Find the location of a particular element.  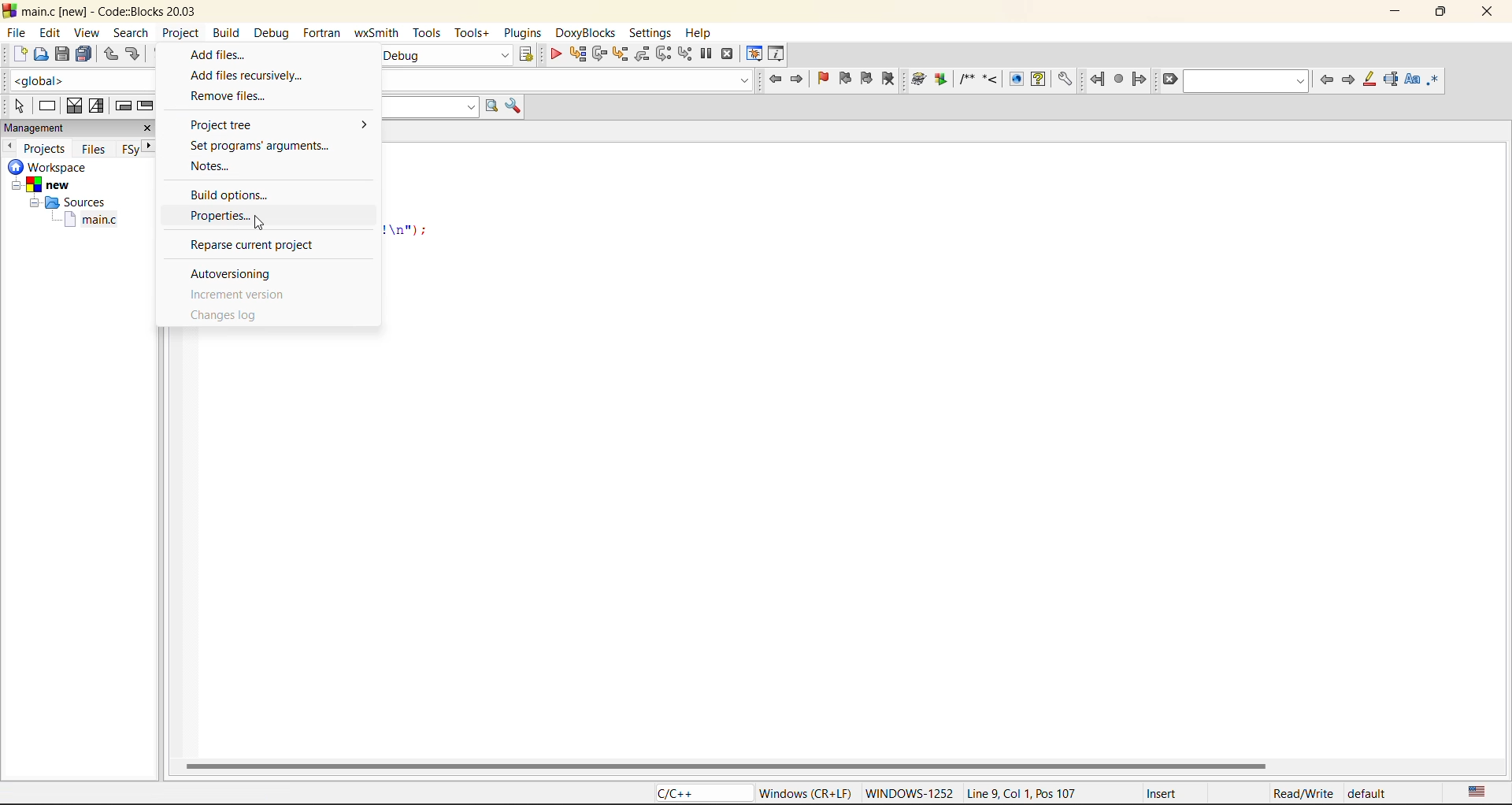

notes is located at coordinates (220, 169).